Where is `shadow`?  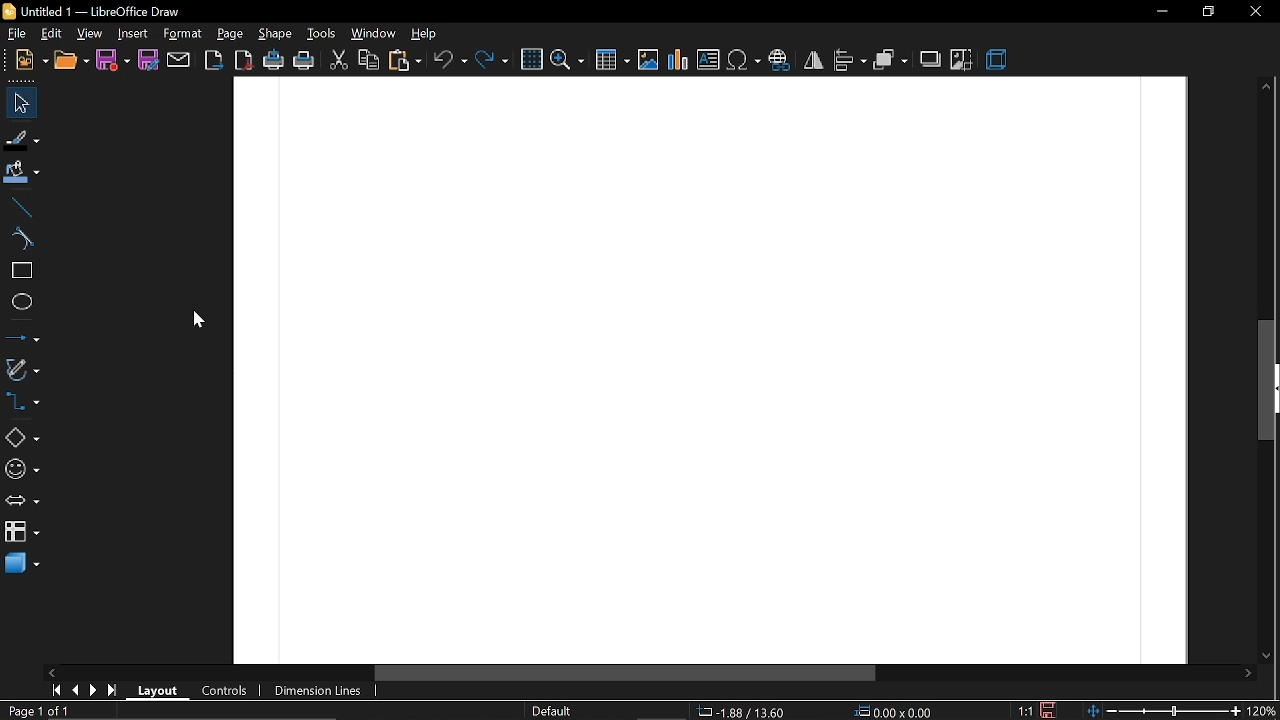 shadow is located at coordinates (930, 60).